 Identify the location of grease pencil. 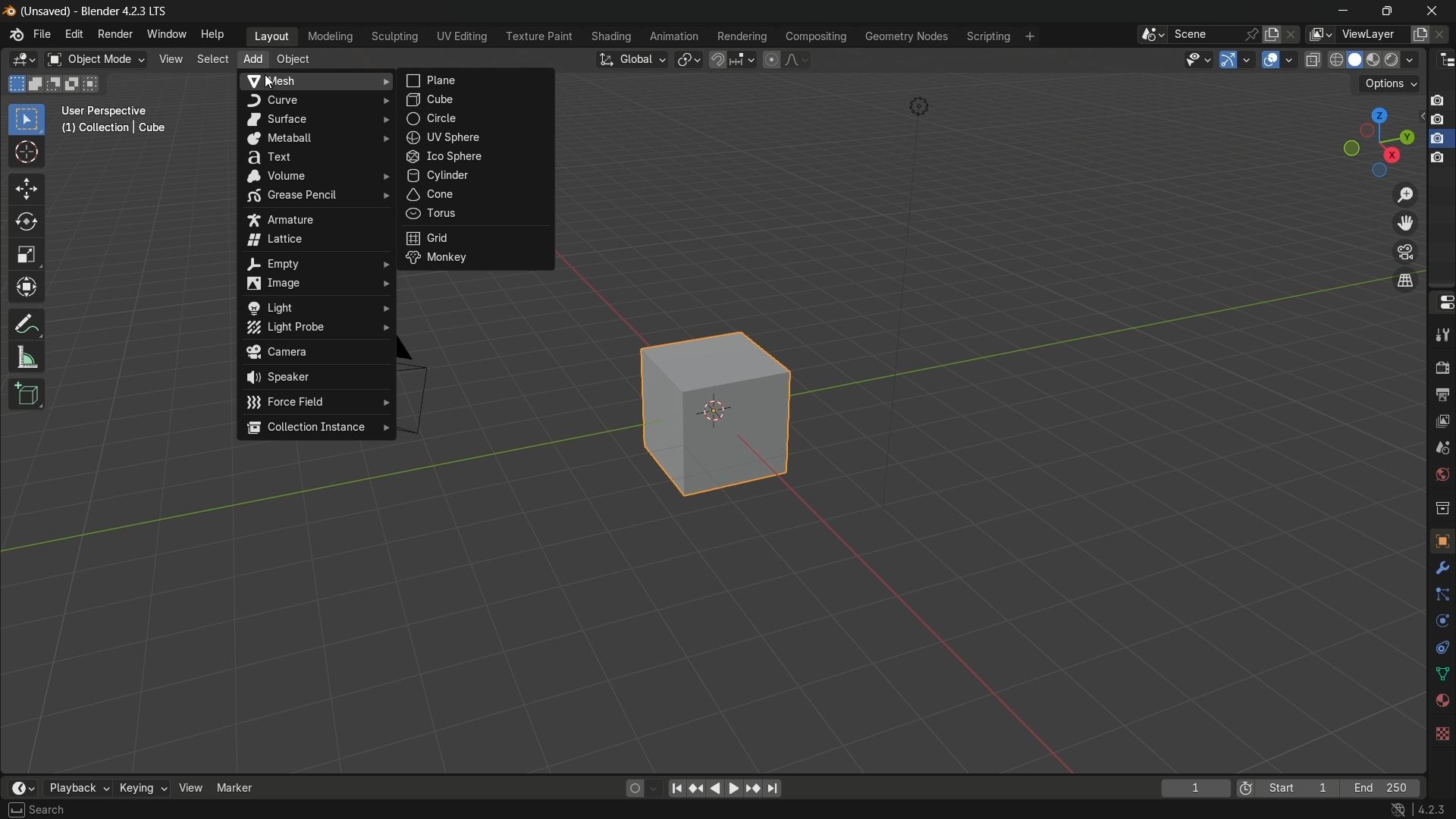
(312, 198).